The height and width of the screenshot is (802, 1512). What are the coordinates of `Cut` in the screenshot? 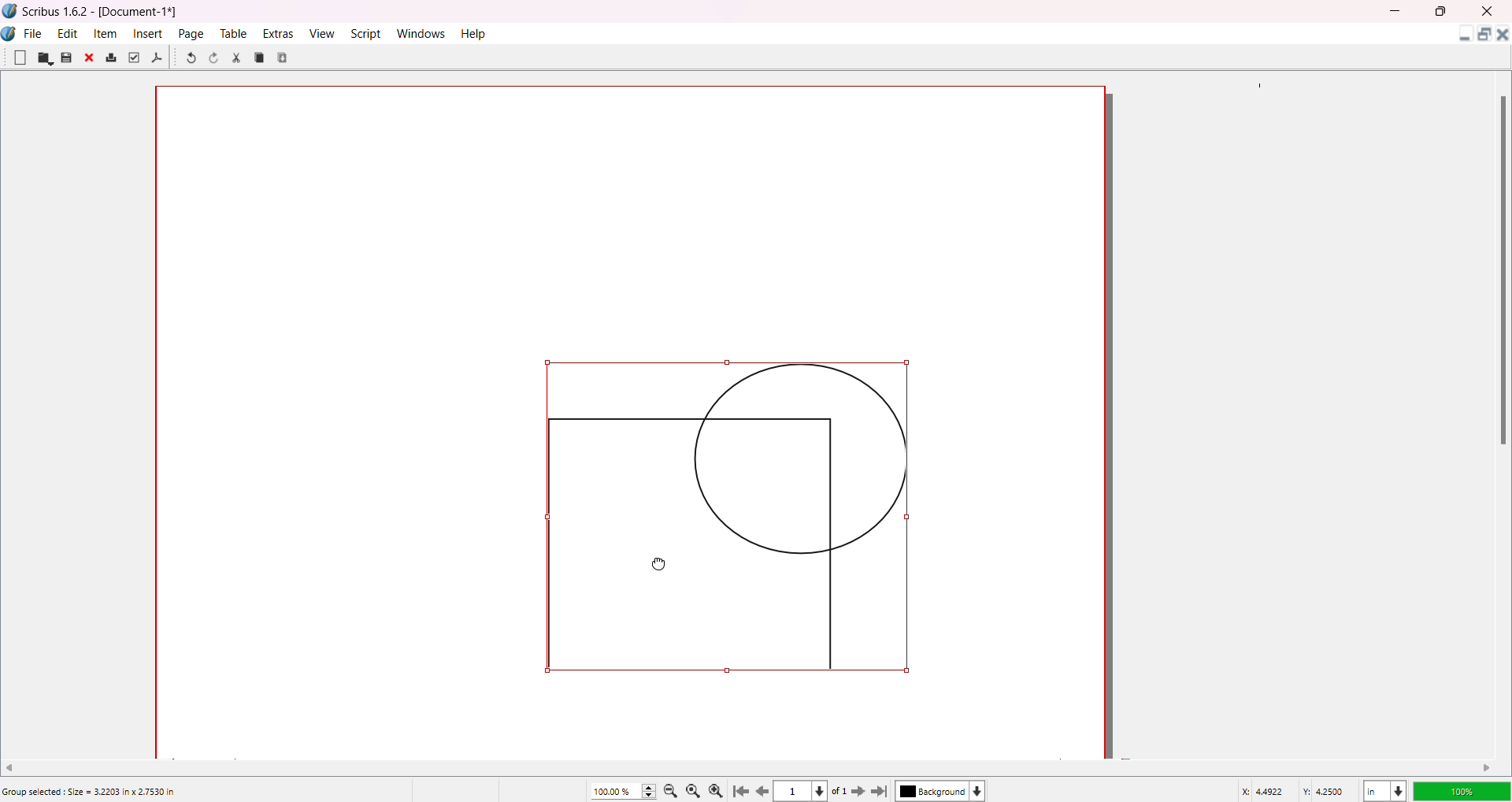 It's located at (236, 58).